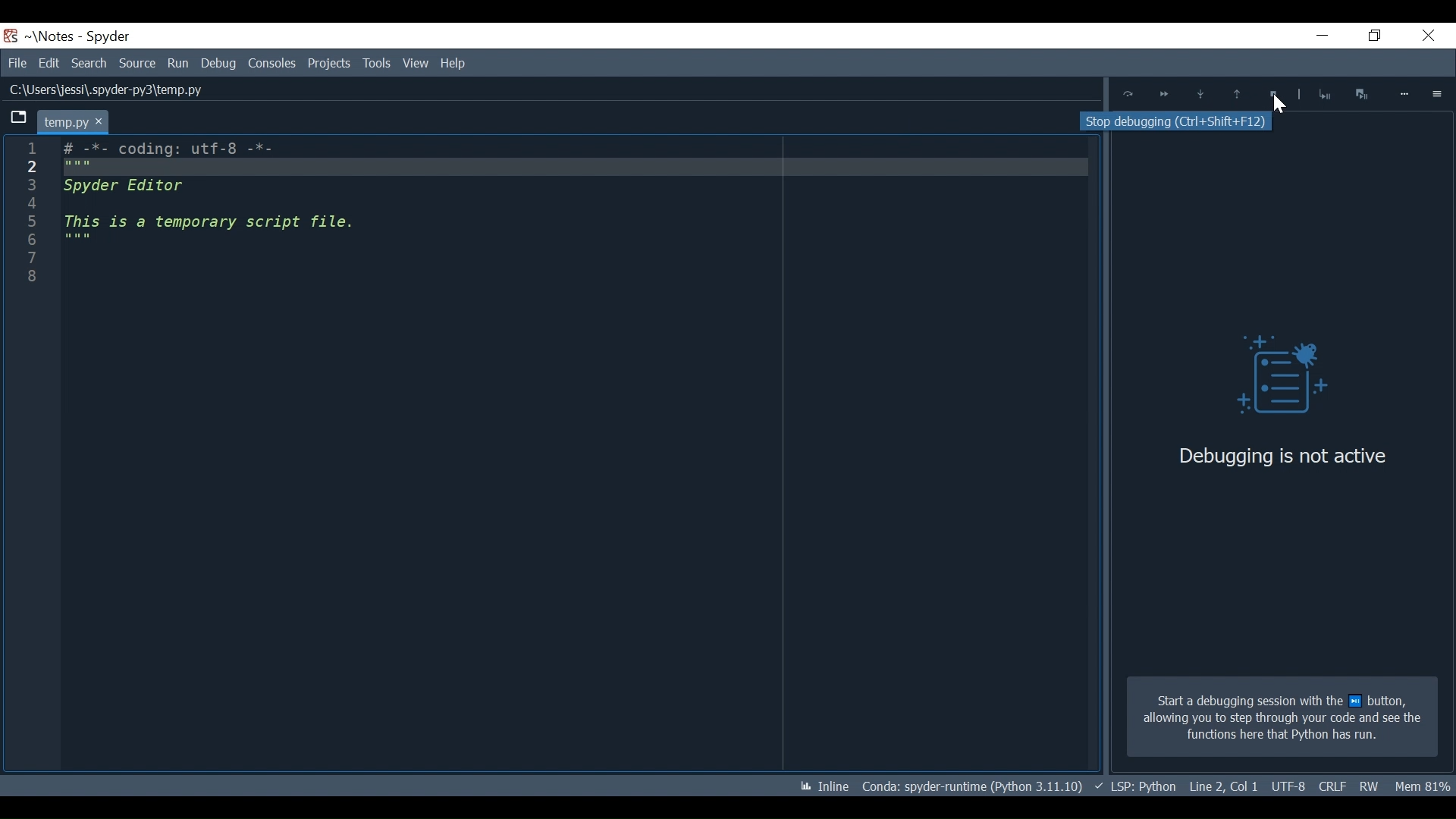 This screenshot has height=819, width=1456. I want to click on Spyder Desktop Icon, so click(11, 36).